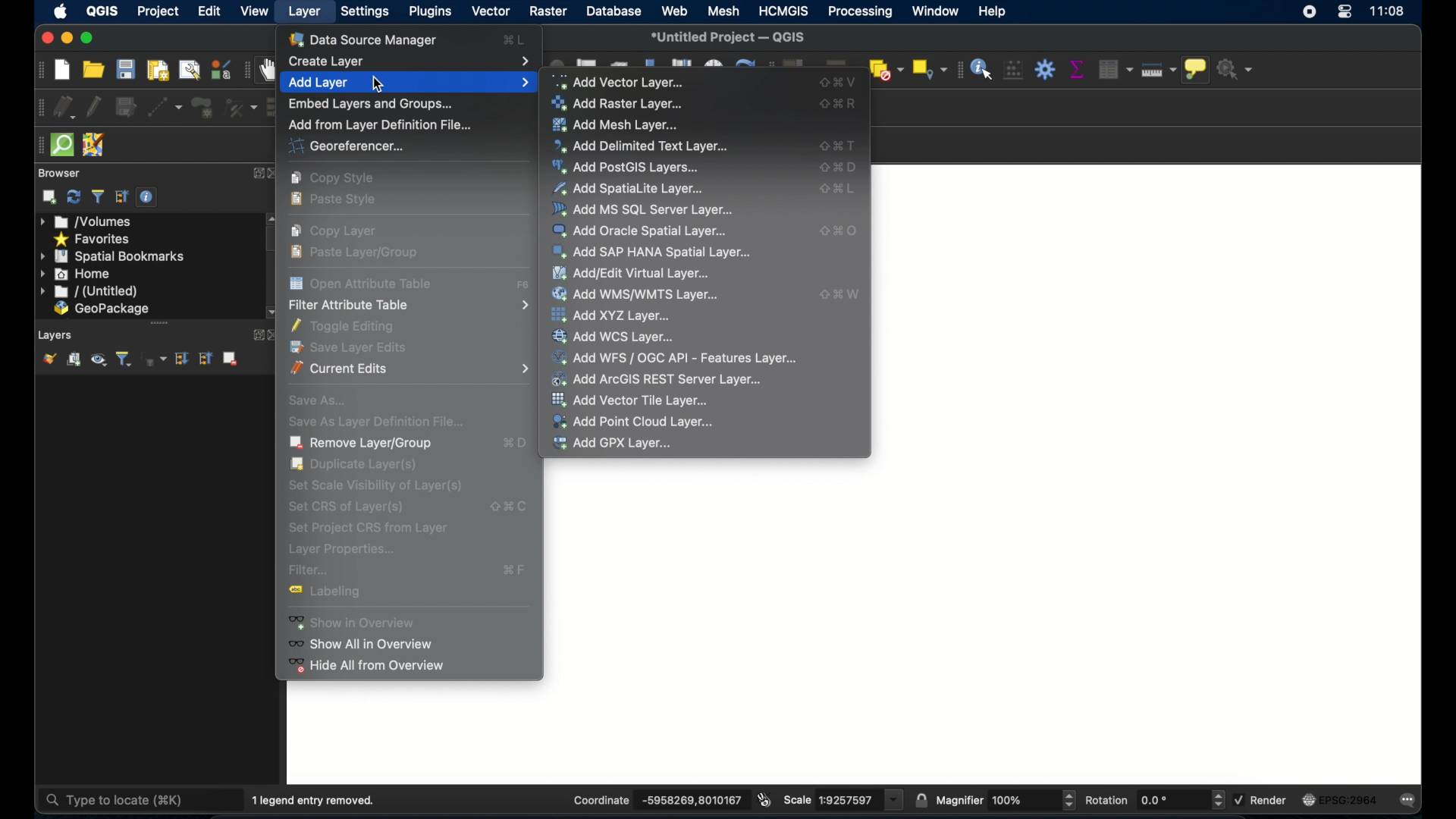  Describe the element at coordinates (361, 622) in the screenshot. I see `show in overview` at that location.